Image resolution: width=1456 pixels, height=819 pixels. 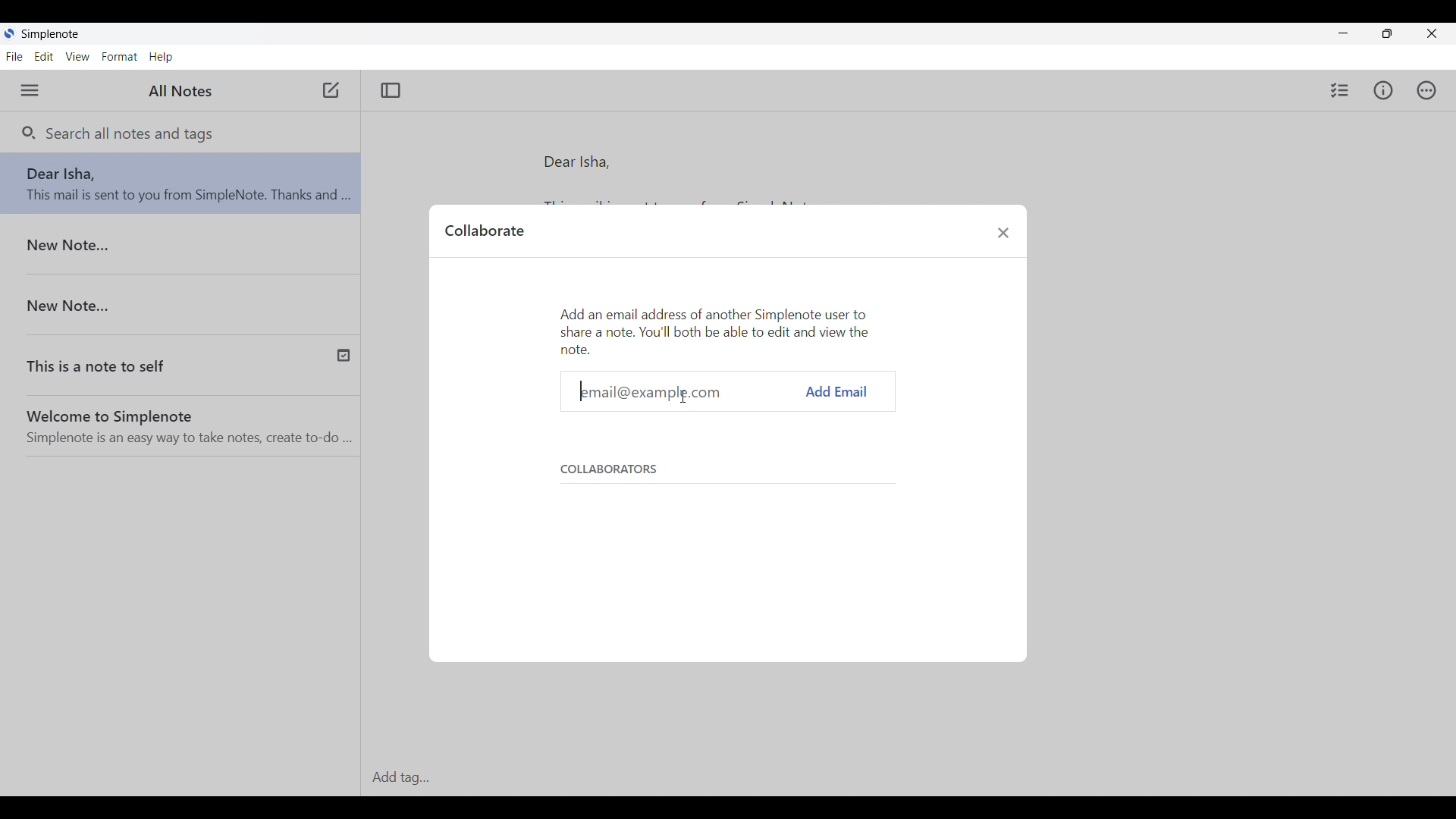 What do you see at coordinates (1431, 33) in the screenshot?
I see `Close` at bounding box center [1431, 33].